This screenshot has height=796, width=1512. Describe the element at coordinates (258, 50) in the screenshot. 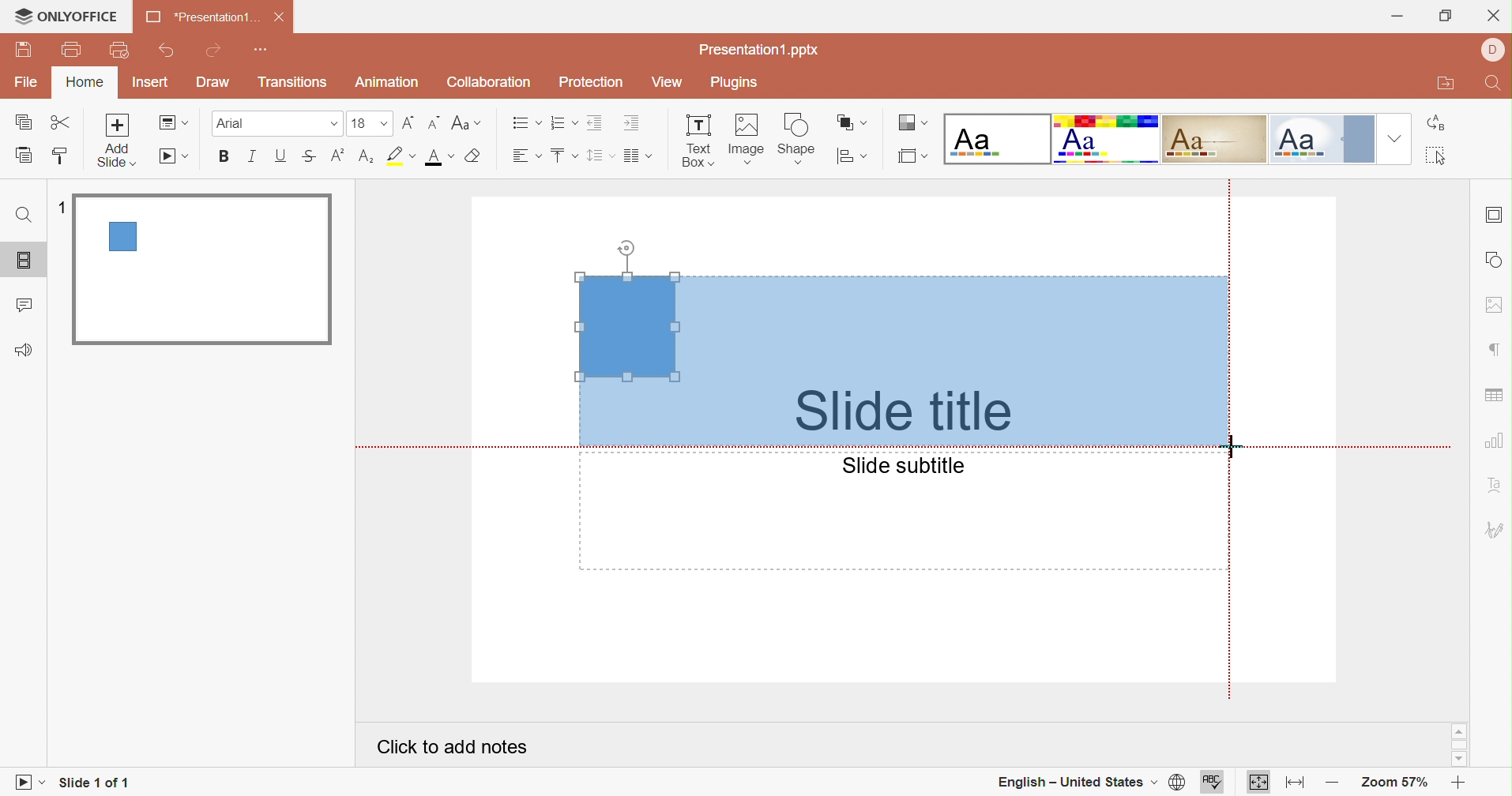

I see `Customize Quick Access Toolbar` at that location.